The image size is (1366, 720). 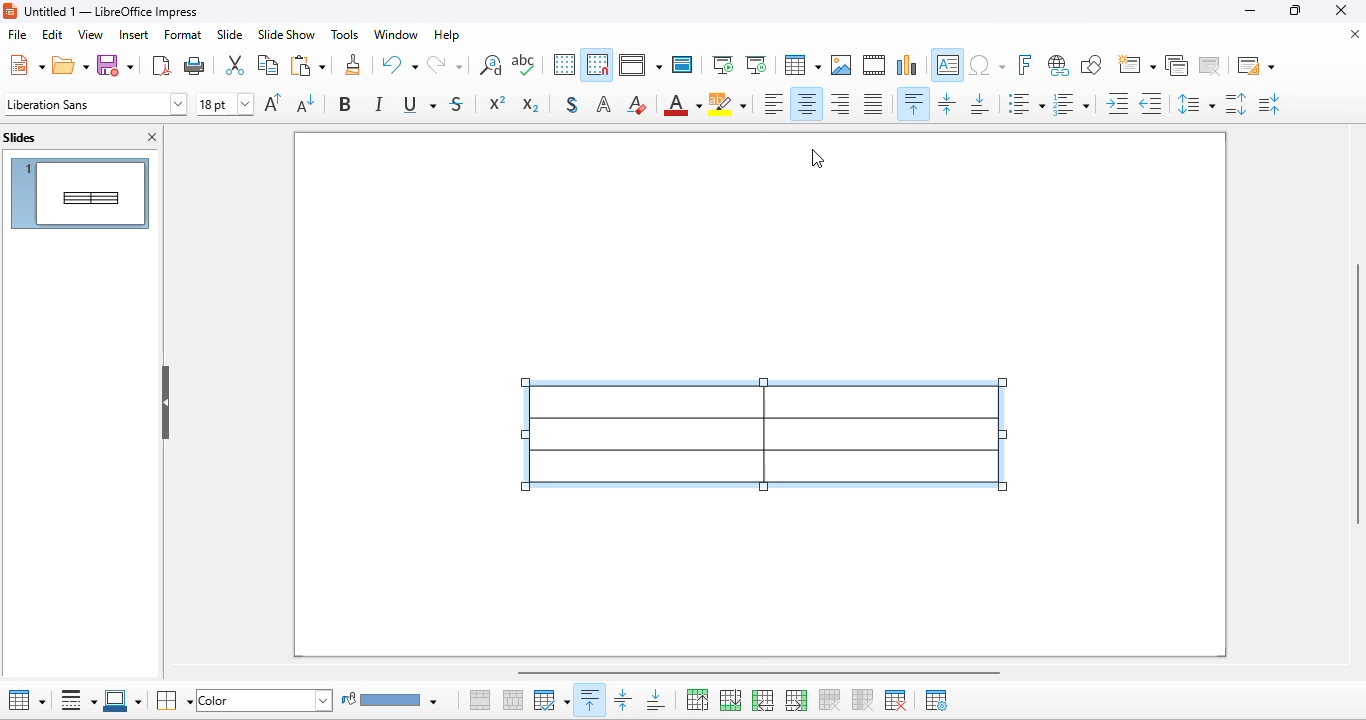 I want to click on clone formatting, so click(x=353, y=64).